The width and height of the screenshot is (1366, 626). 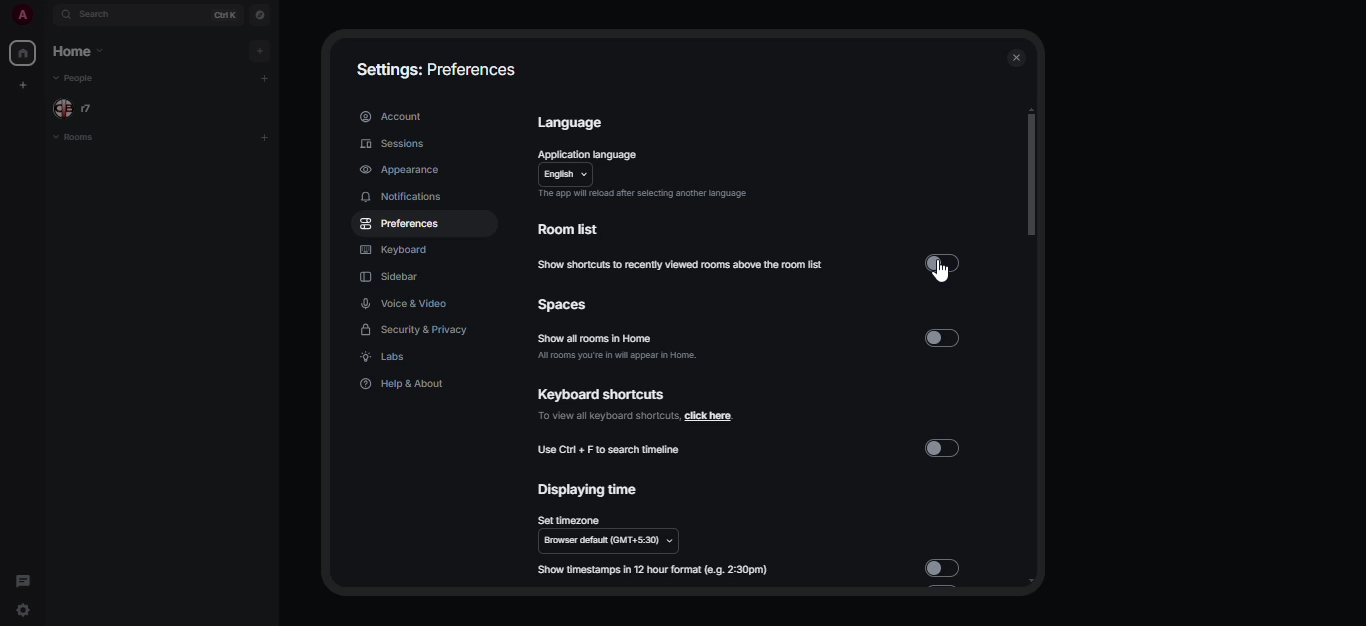 What do you see at coordinates (558, 305) in the screenshot?
I see `spaces` at bounding box center [558, 305].